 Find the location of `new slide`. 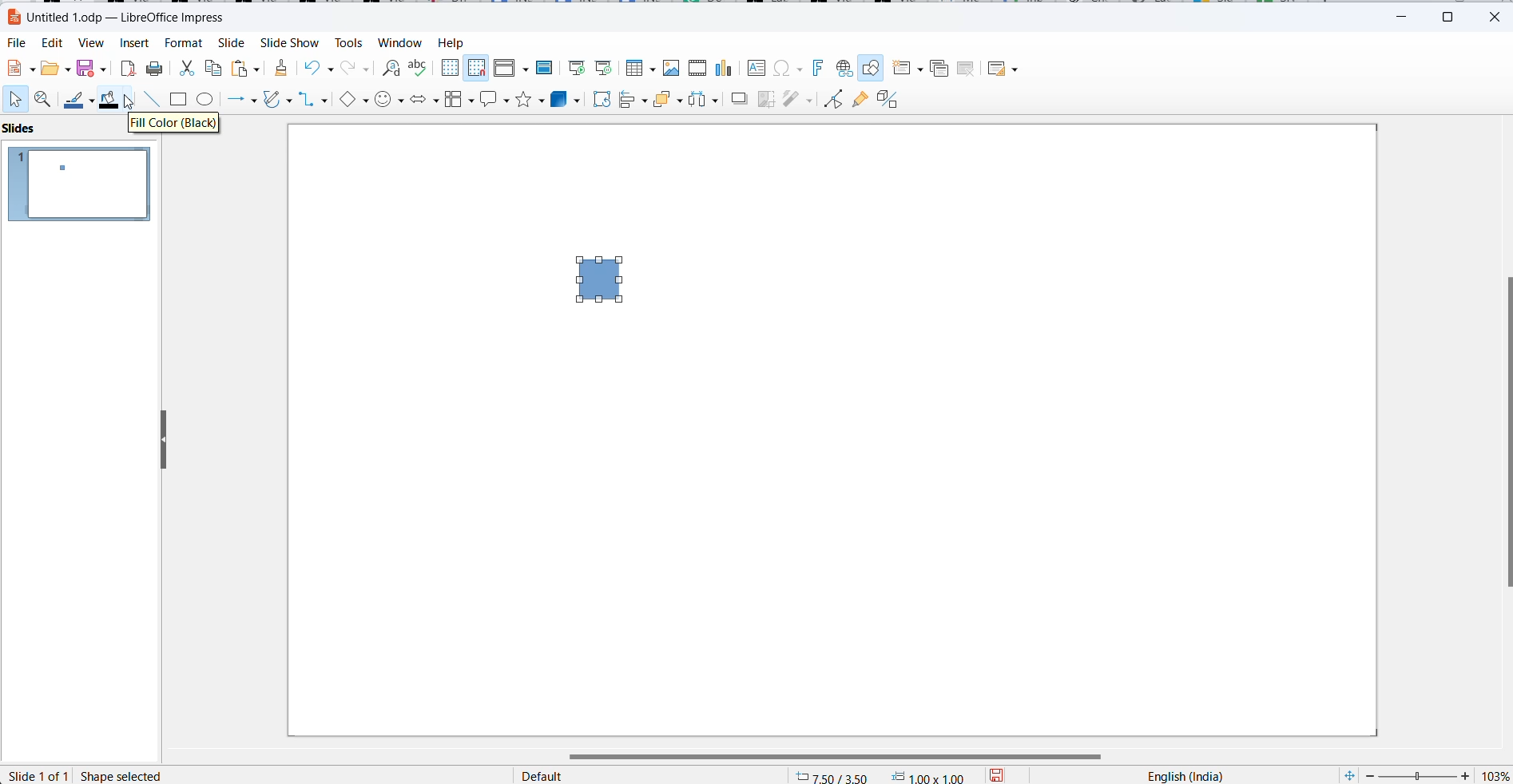

new slide is located at coordinates (908, 69).